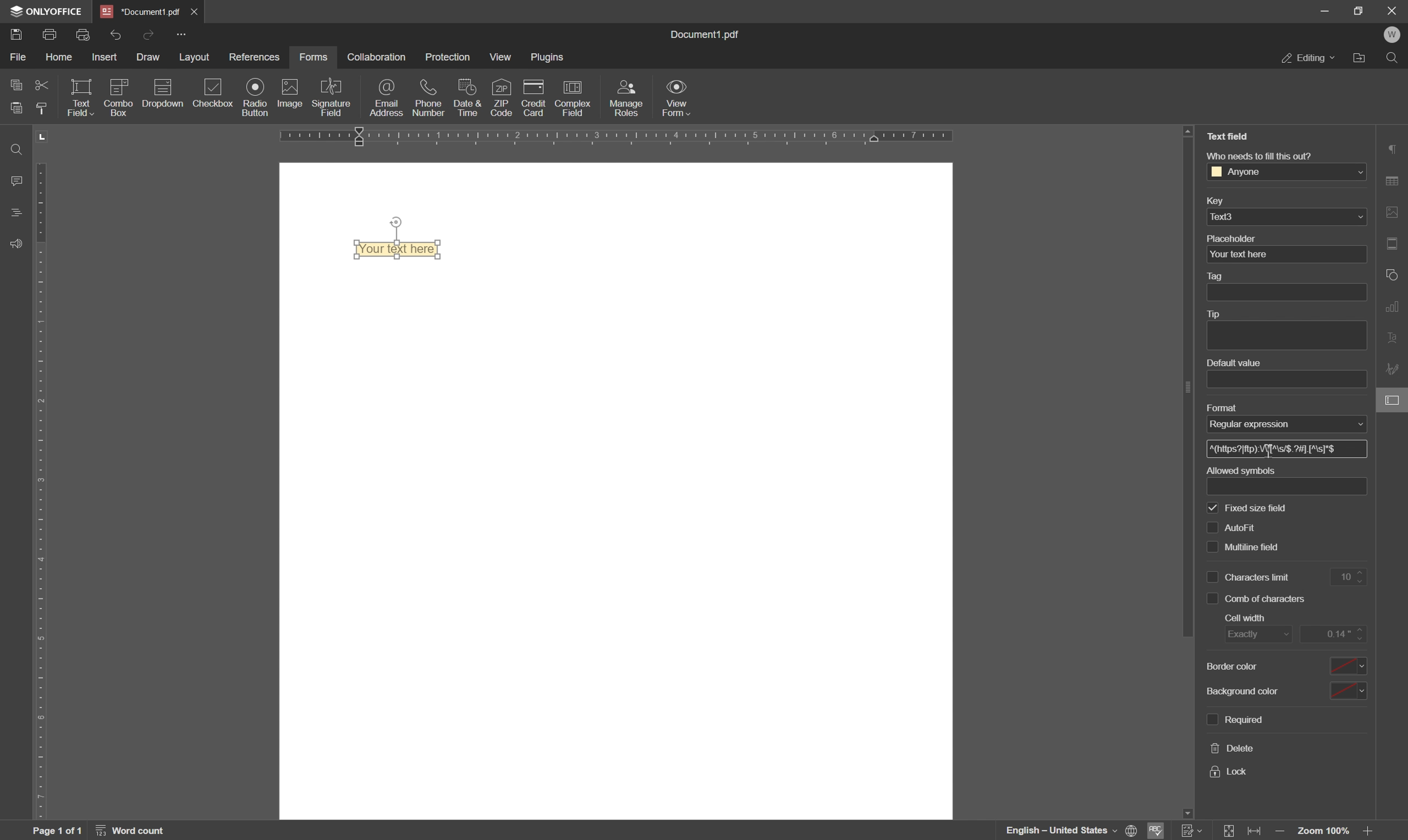 The height and width of the screenshot is (840, 1408). What do you see at coordinates (1358, 10) in the screenshot?
I see `restore down` at bounding box center [1358, 10].